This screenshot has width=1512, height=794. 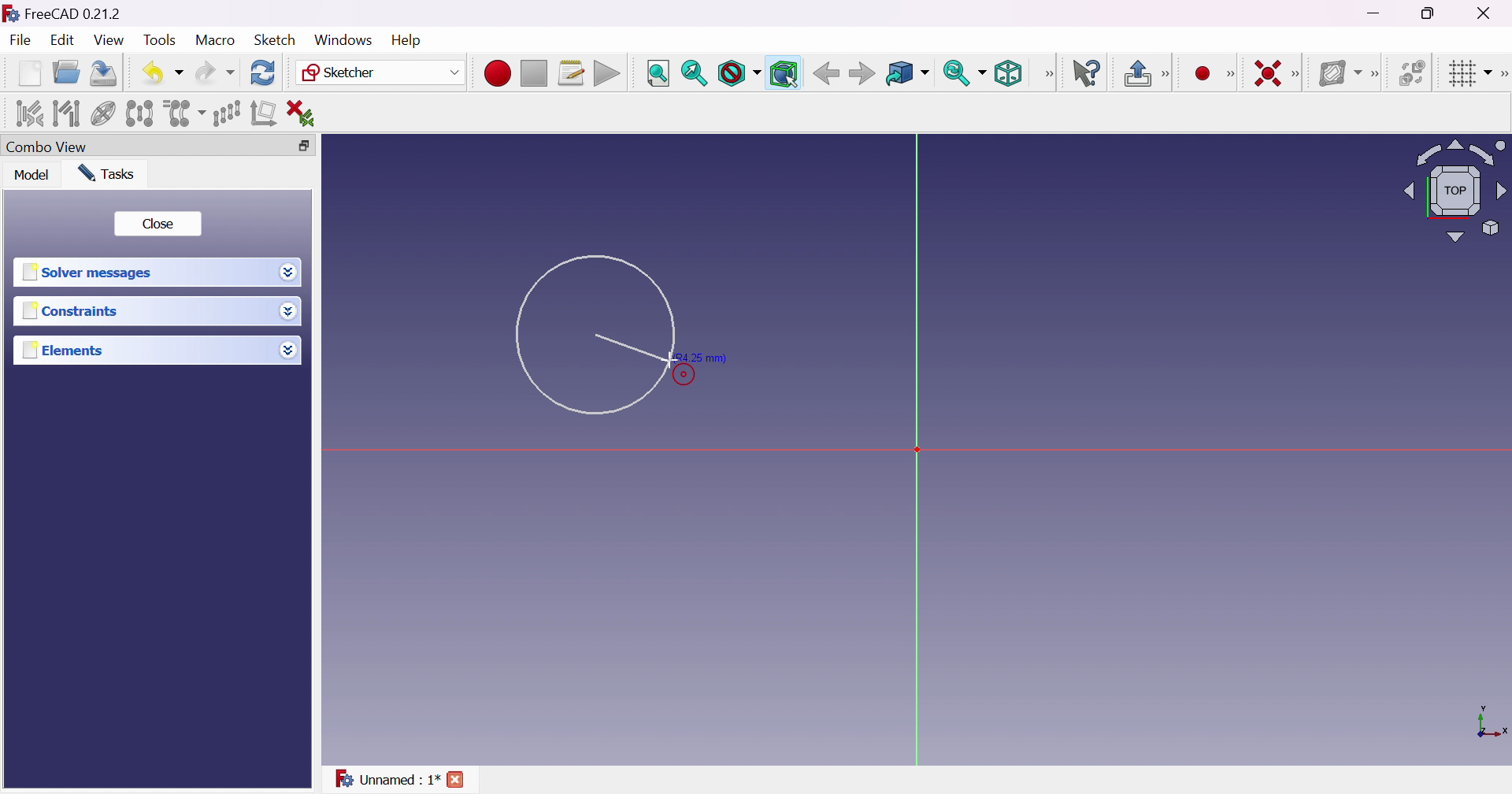 I want to click on Switch virtual space, so click(x=1413, y=72).